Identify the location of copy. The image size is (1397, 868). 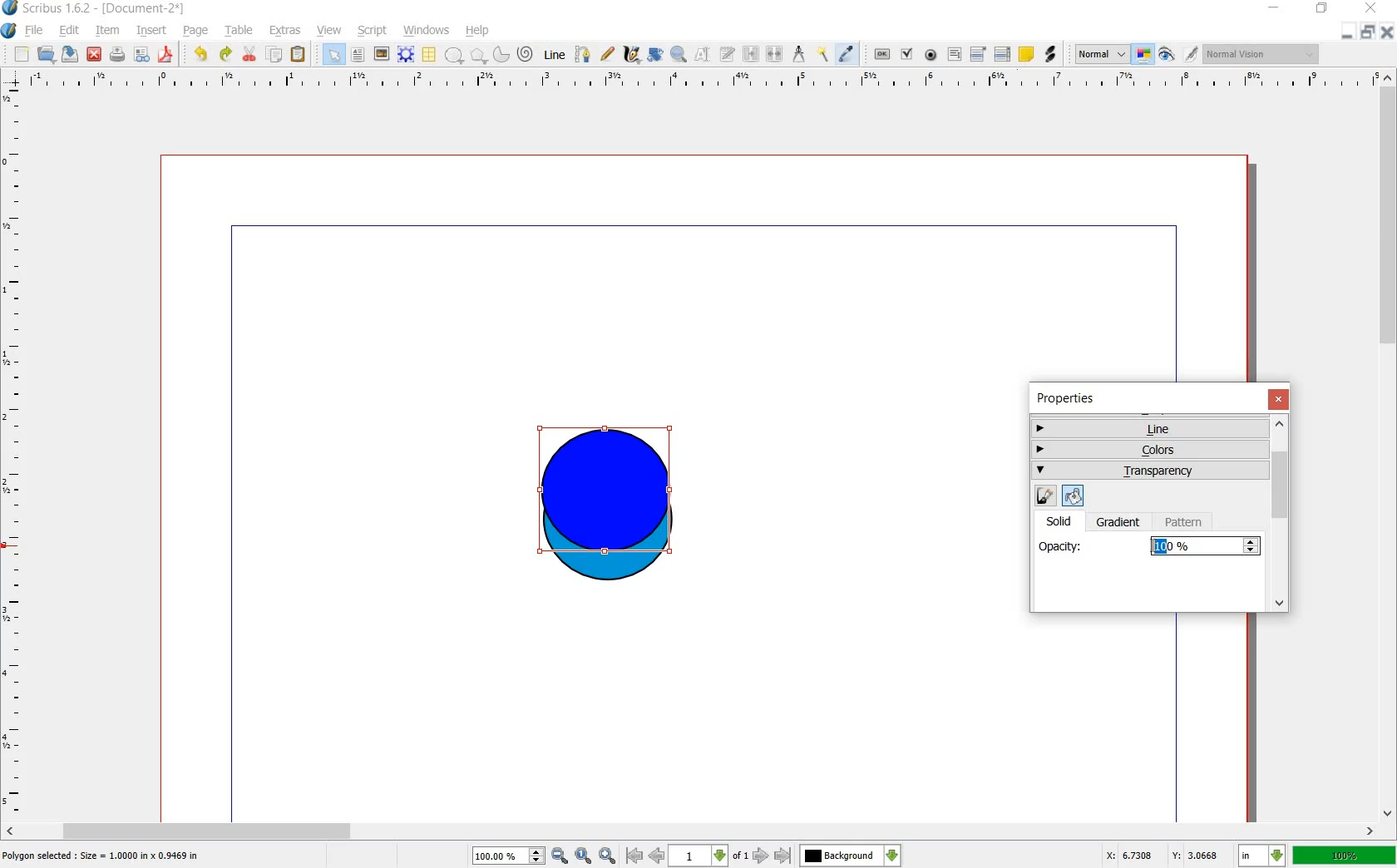
(276, 55).